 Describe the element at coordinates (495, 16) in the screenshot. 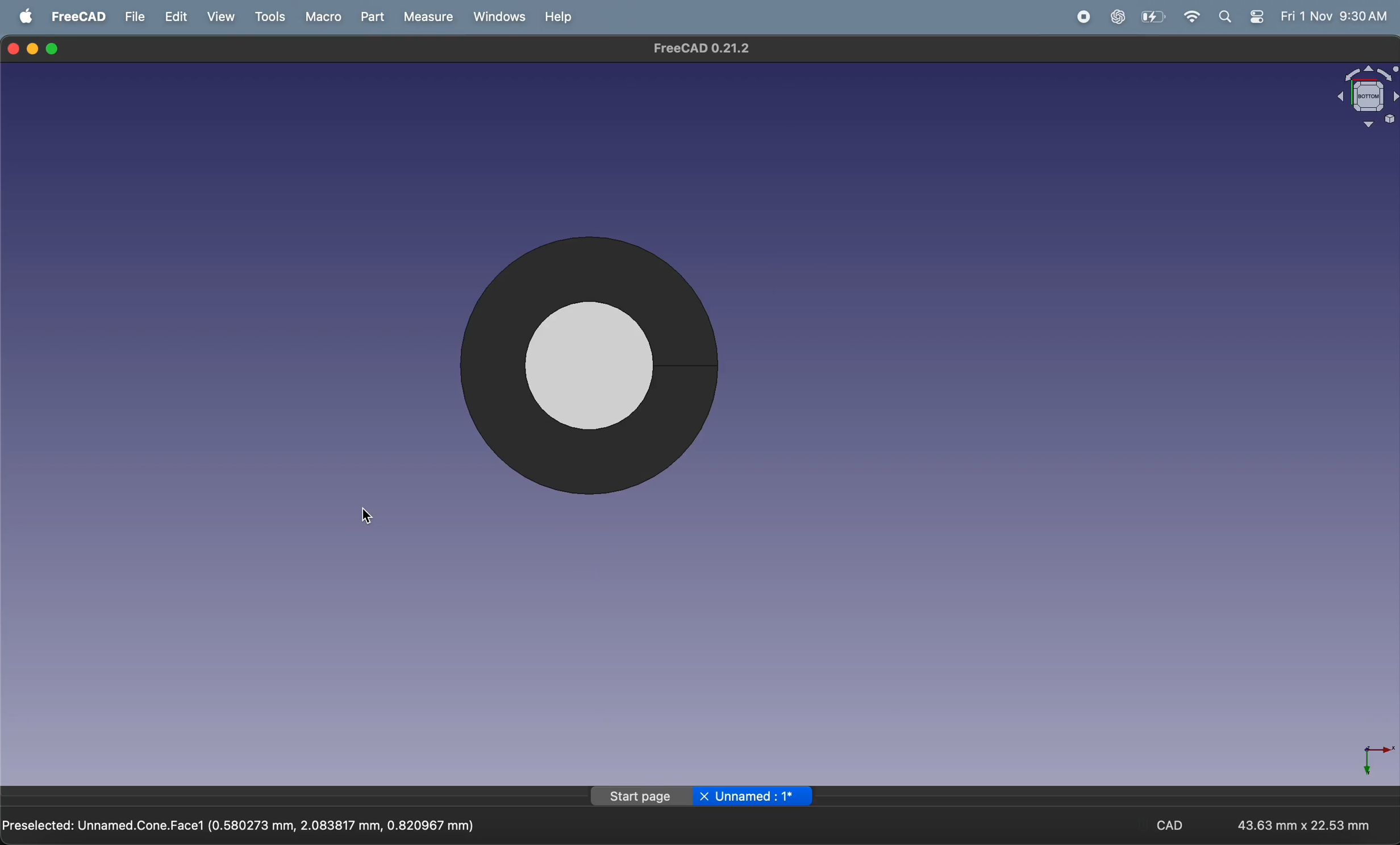

I see `windows` at that location.